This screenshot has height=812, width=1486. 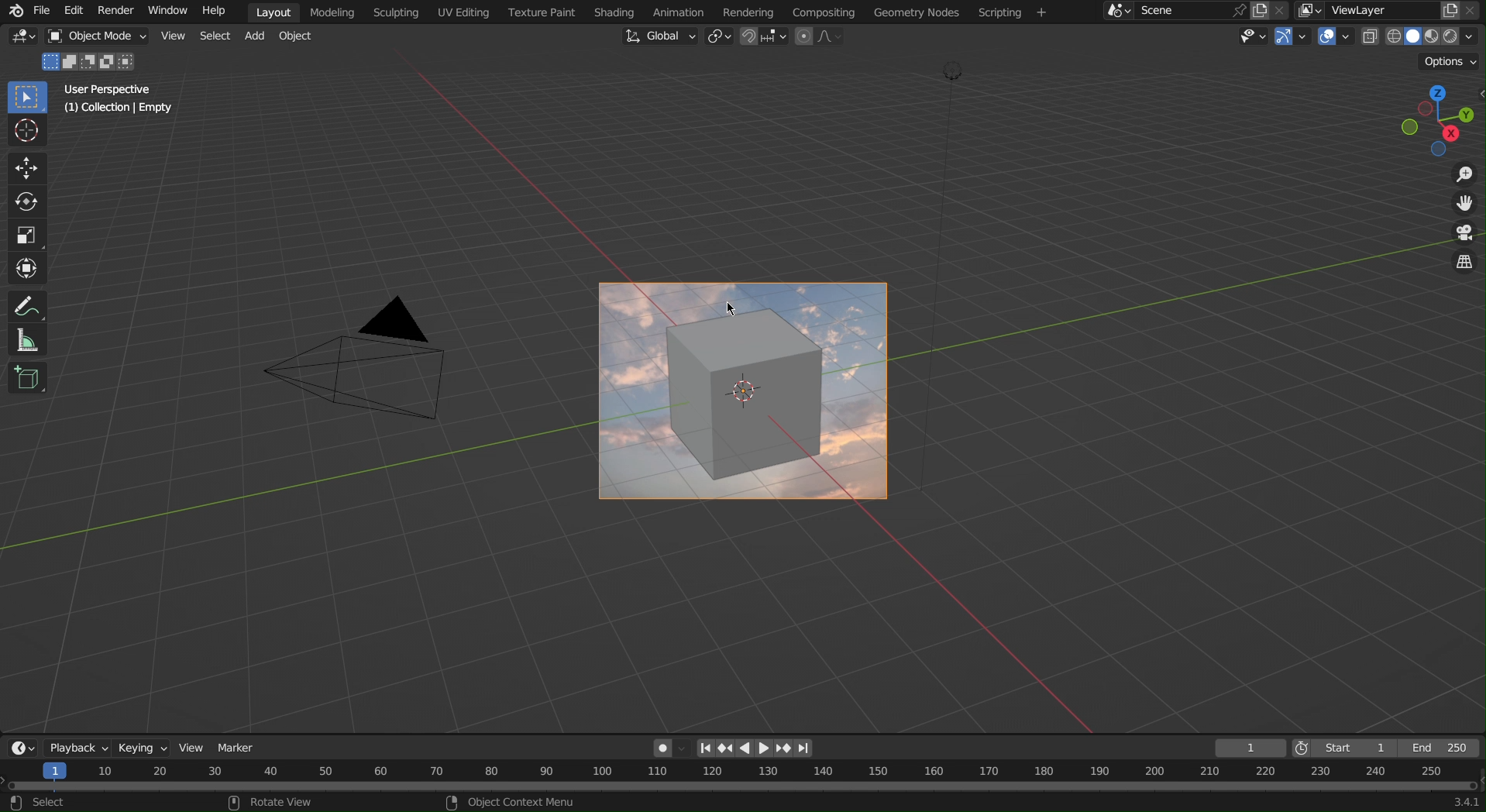 I want to click on Timeline, so click(x=743, y=787).